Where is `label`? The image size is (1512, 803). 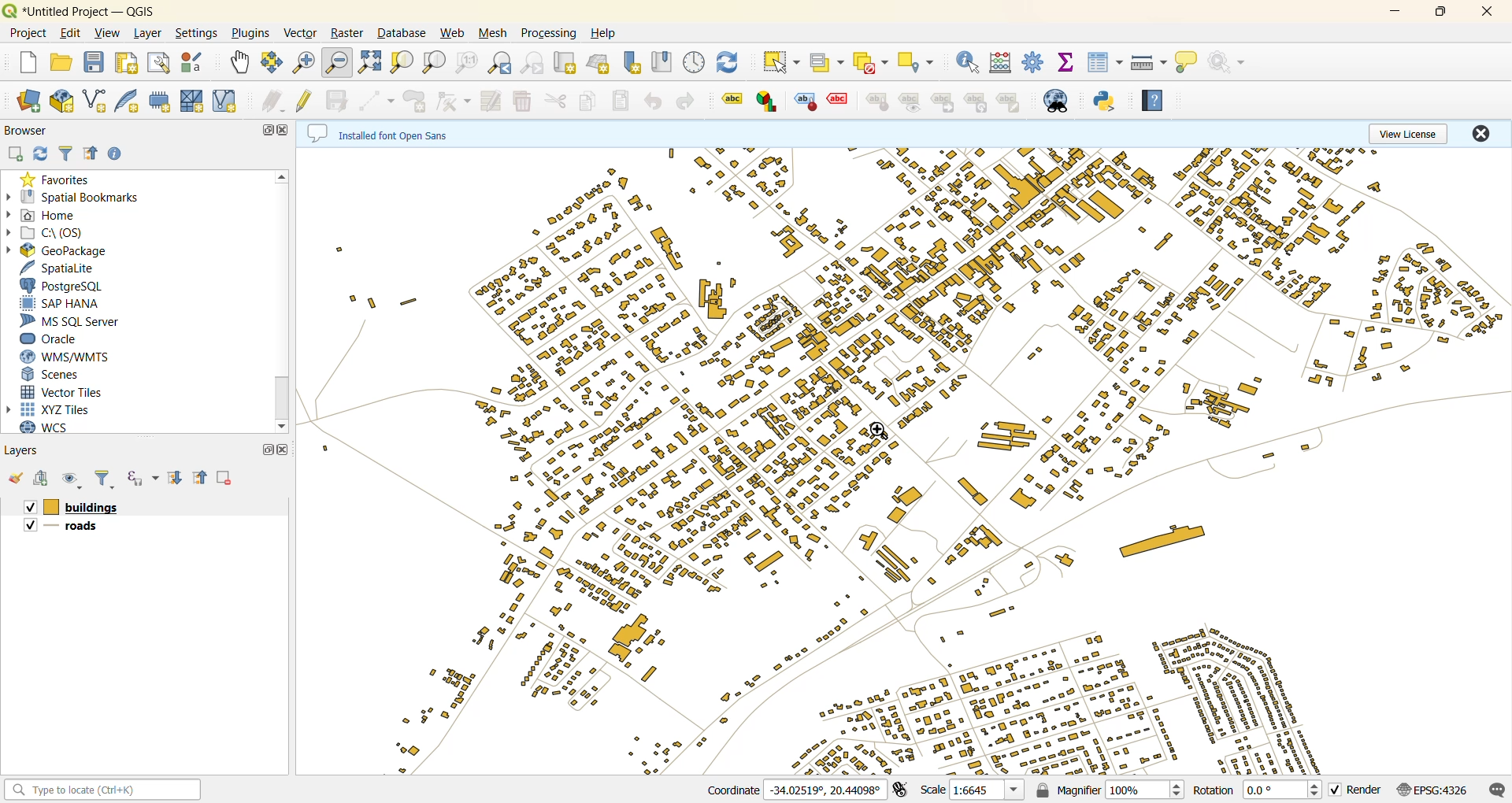
label is located at coordinates (909, 104).